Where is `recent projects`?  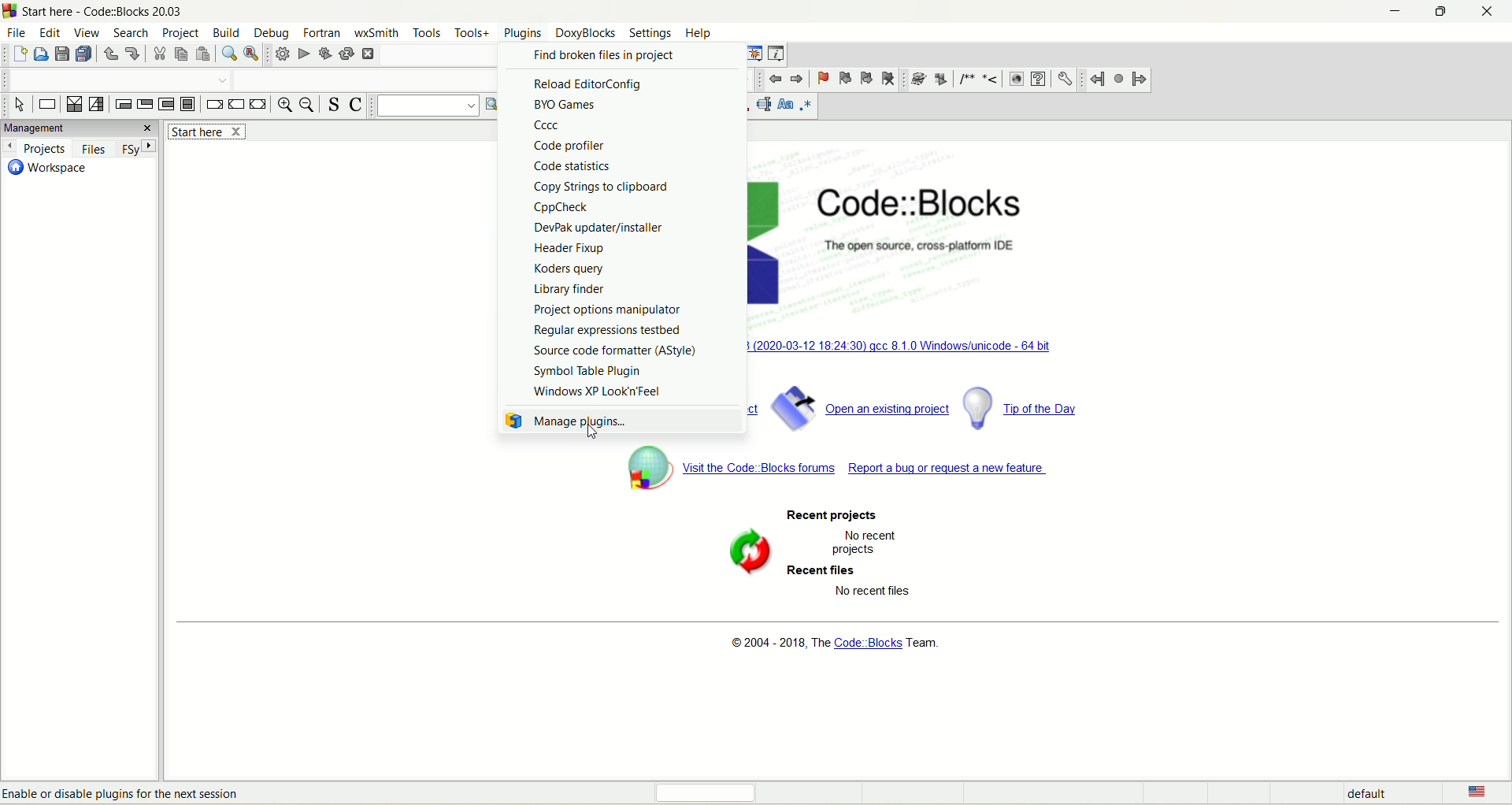 recent projects is located at coordinates (830, 514).